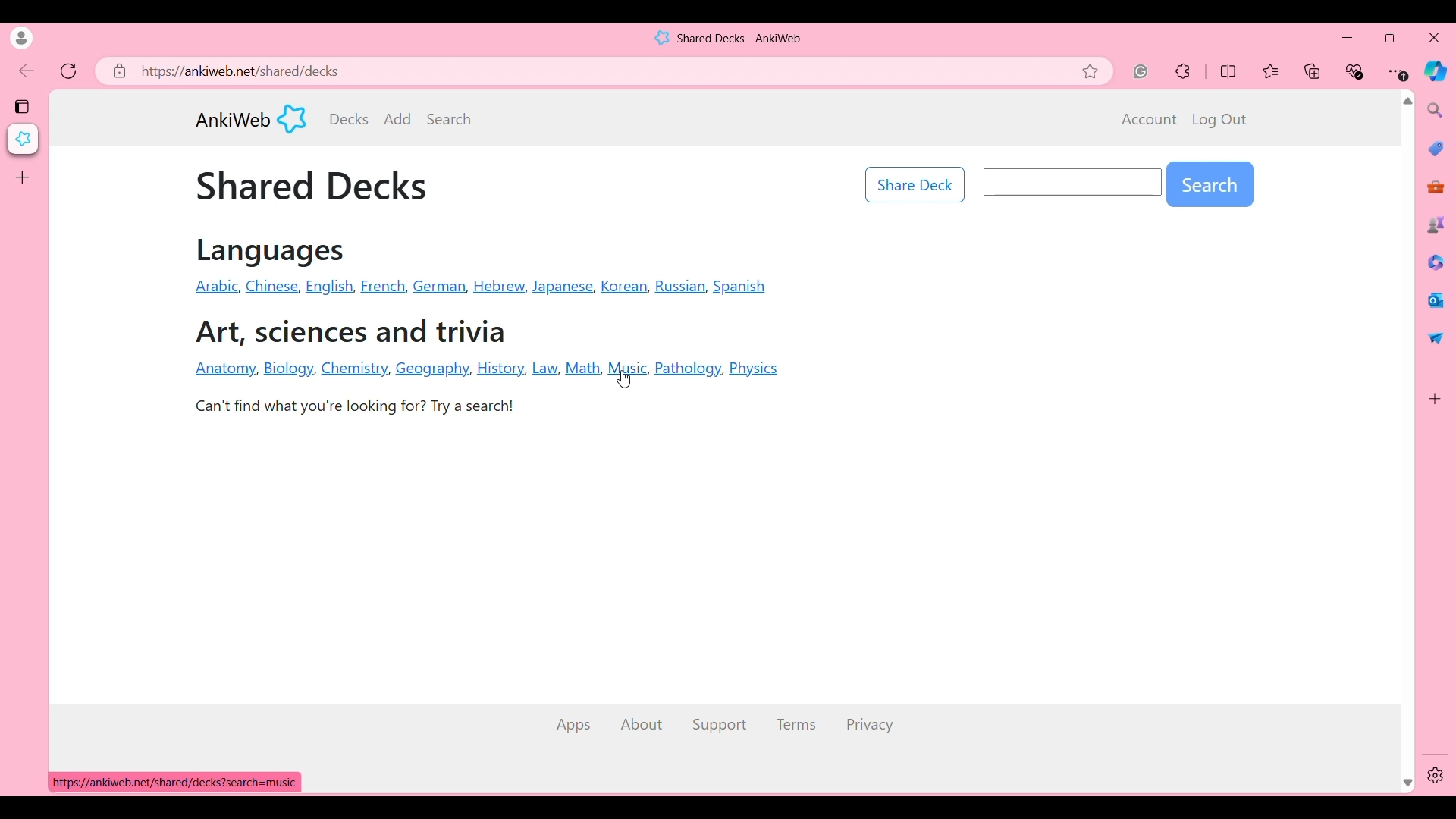  I want to click on Input search, so click(1073, 182).